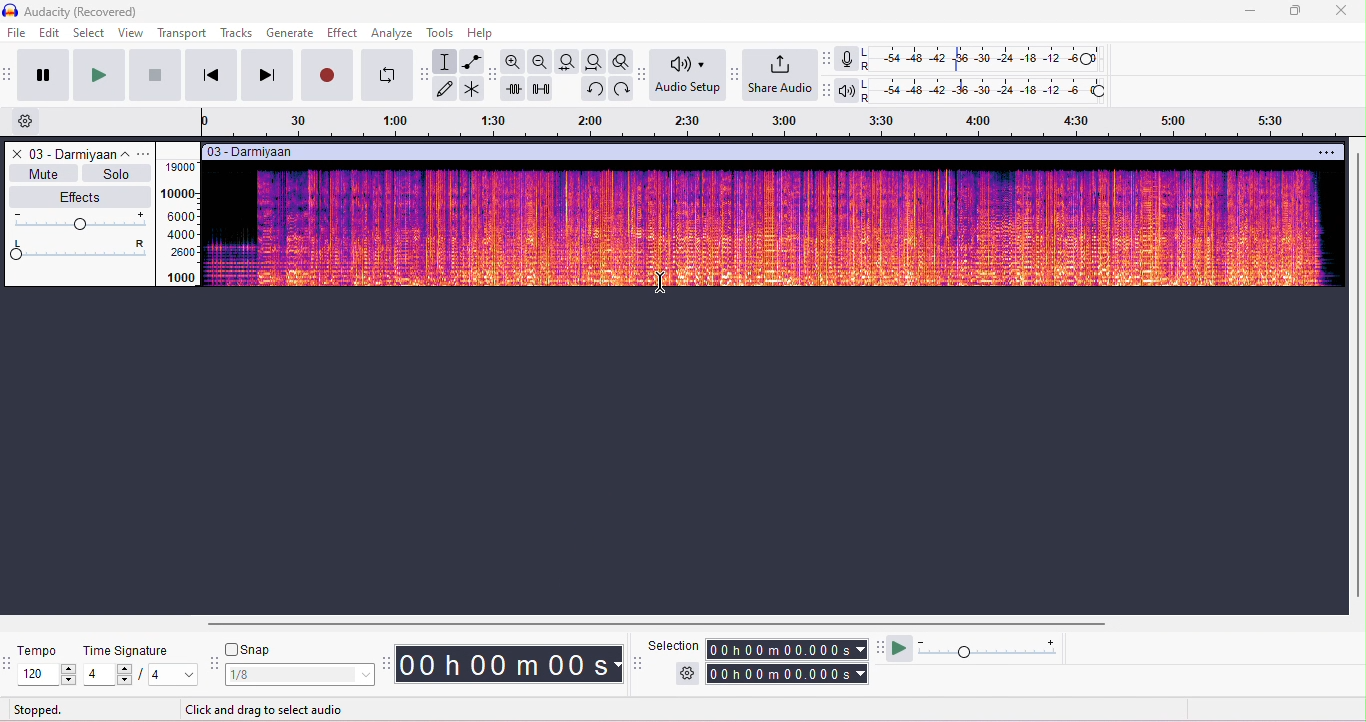 The image size is (1366, 722). I want to click on audio setup, so click(688, 75).